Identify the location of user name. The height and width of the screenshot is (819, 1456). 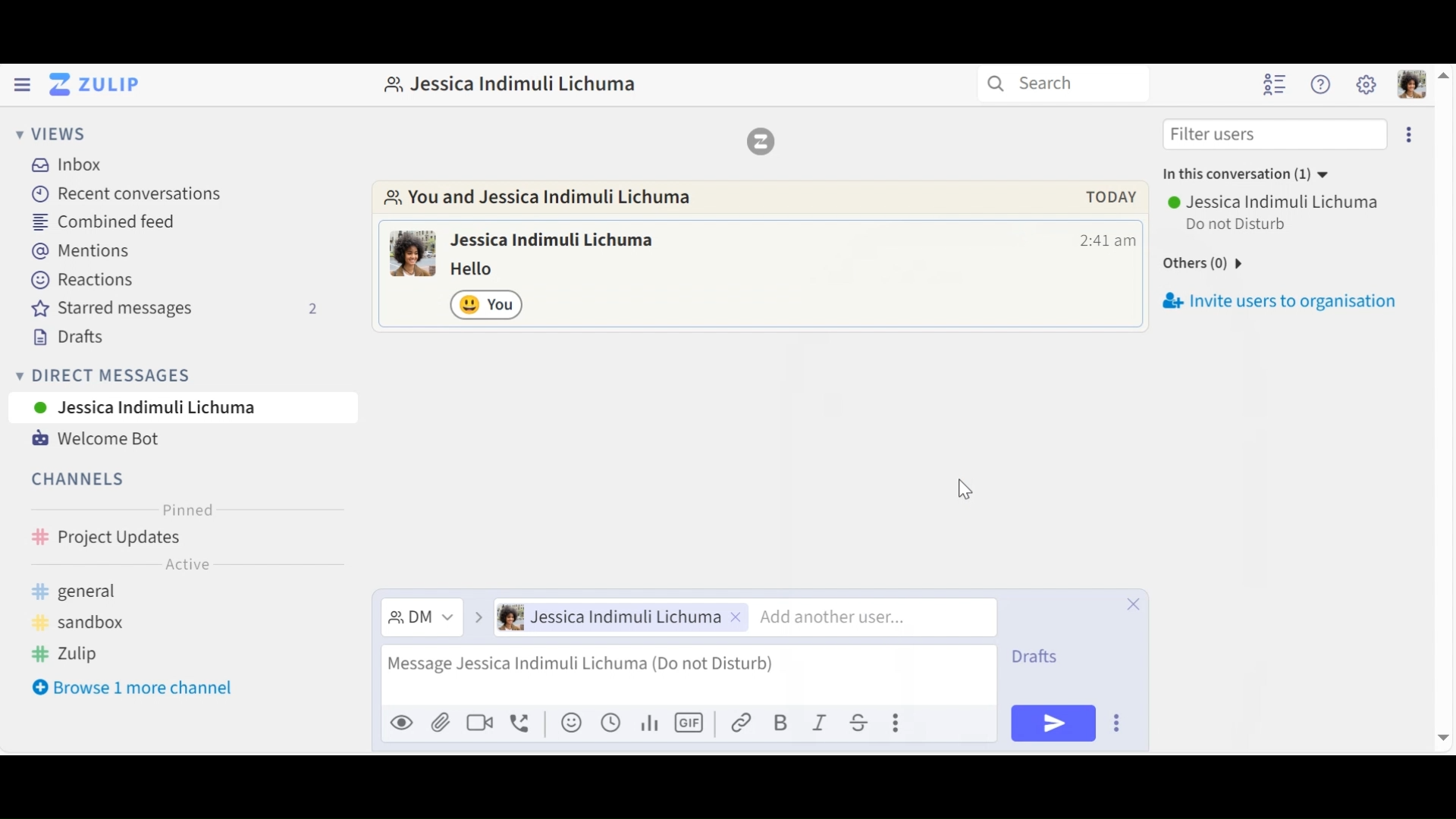
(574, 238).